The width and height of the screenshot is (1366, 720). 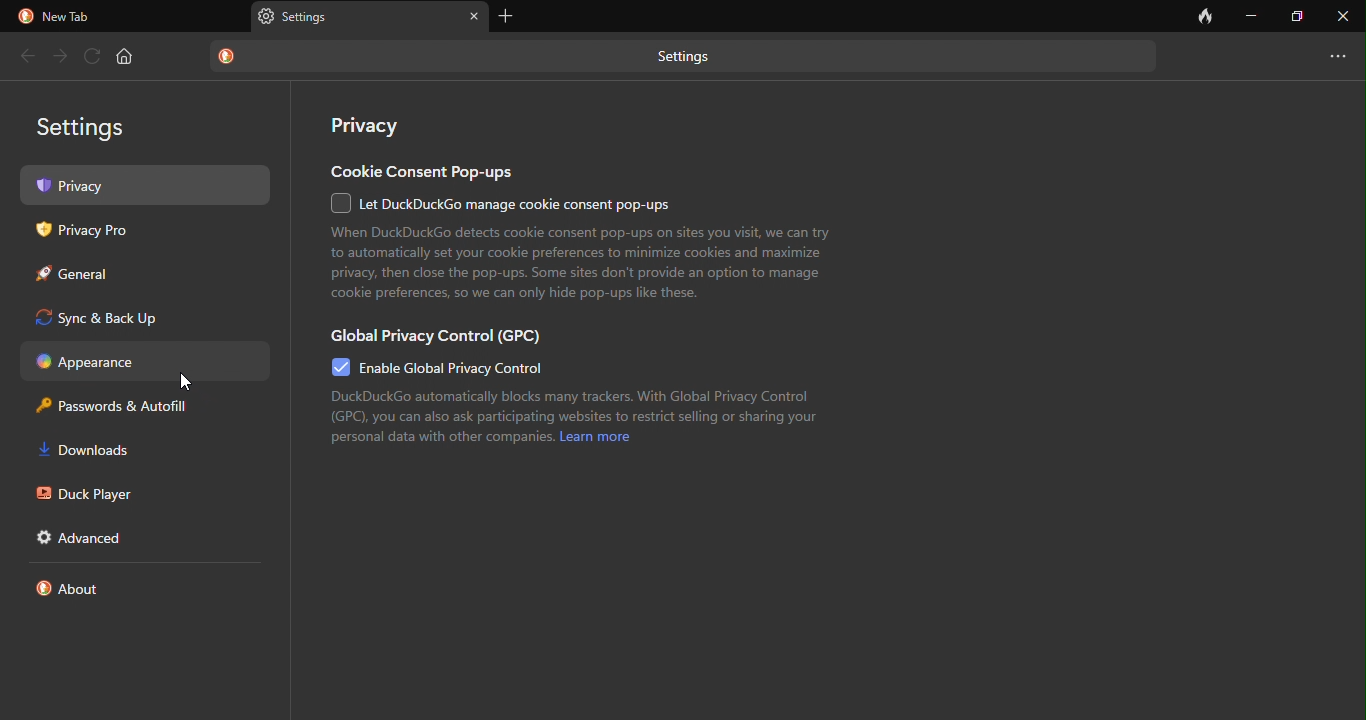 I want to click on close tab and clear data, so click(x=1205, y=16).